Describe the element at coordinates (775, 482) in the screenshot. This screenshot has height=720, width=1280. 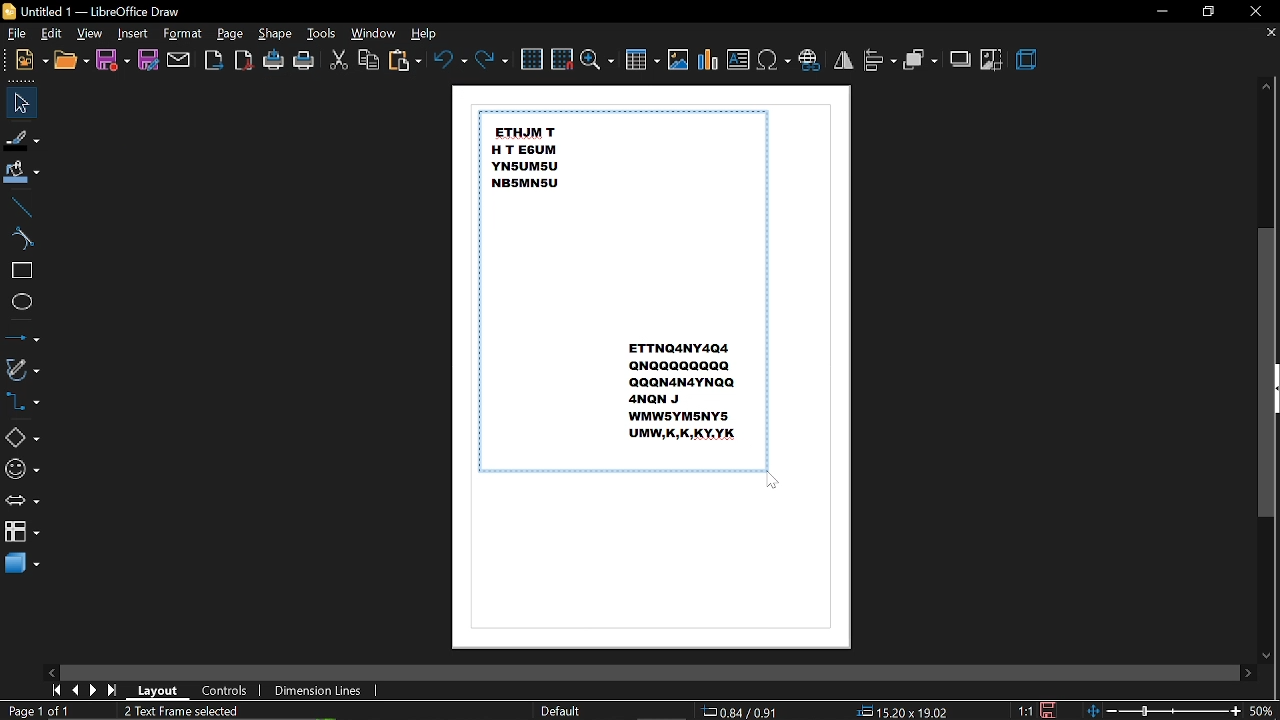
I see `cursor` at that location.